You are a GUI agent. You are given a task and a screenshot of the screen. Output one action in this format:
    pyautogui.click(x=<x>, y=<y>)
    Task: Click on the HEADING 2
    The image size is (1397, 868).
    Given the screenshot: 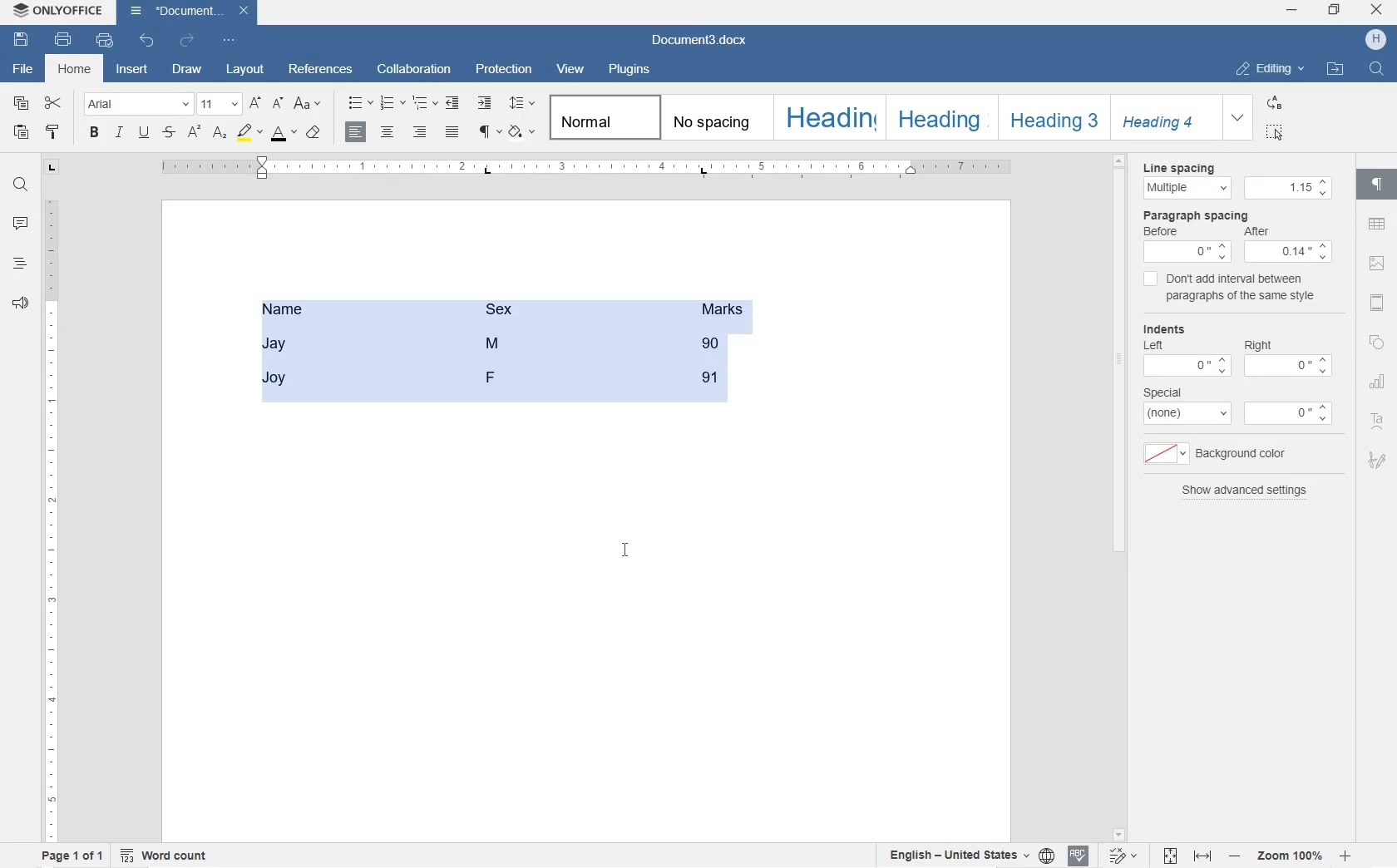 What is the action you would take?
    pyautogui.click(x=939, y=118)
    